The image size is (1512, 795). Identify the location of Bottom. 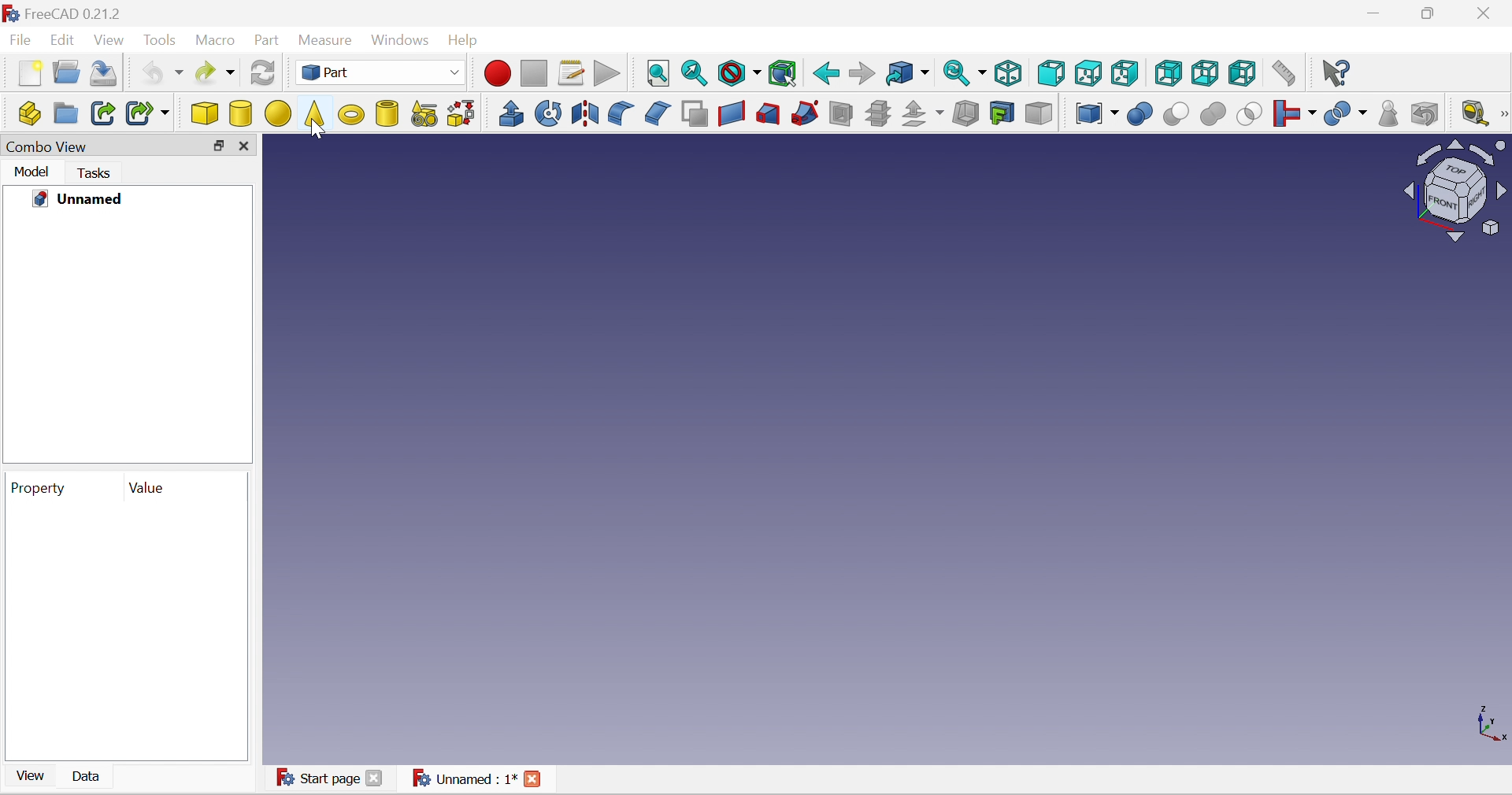
(1205, 74).